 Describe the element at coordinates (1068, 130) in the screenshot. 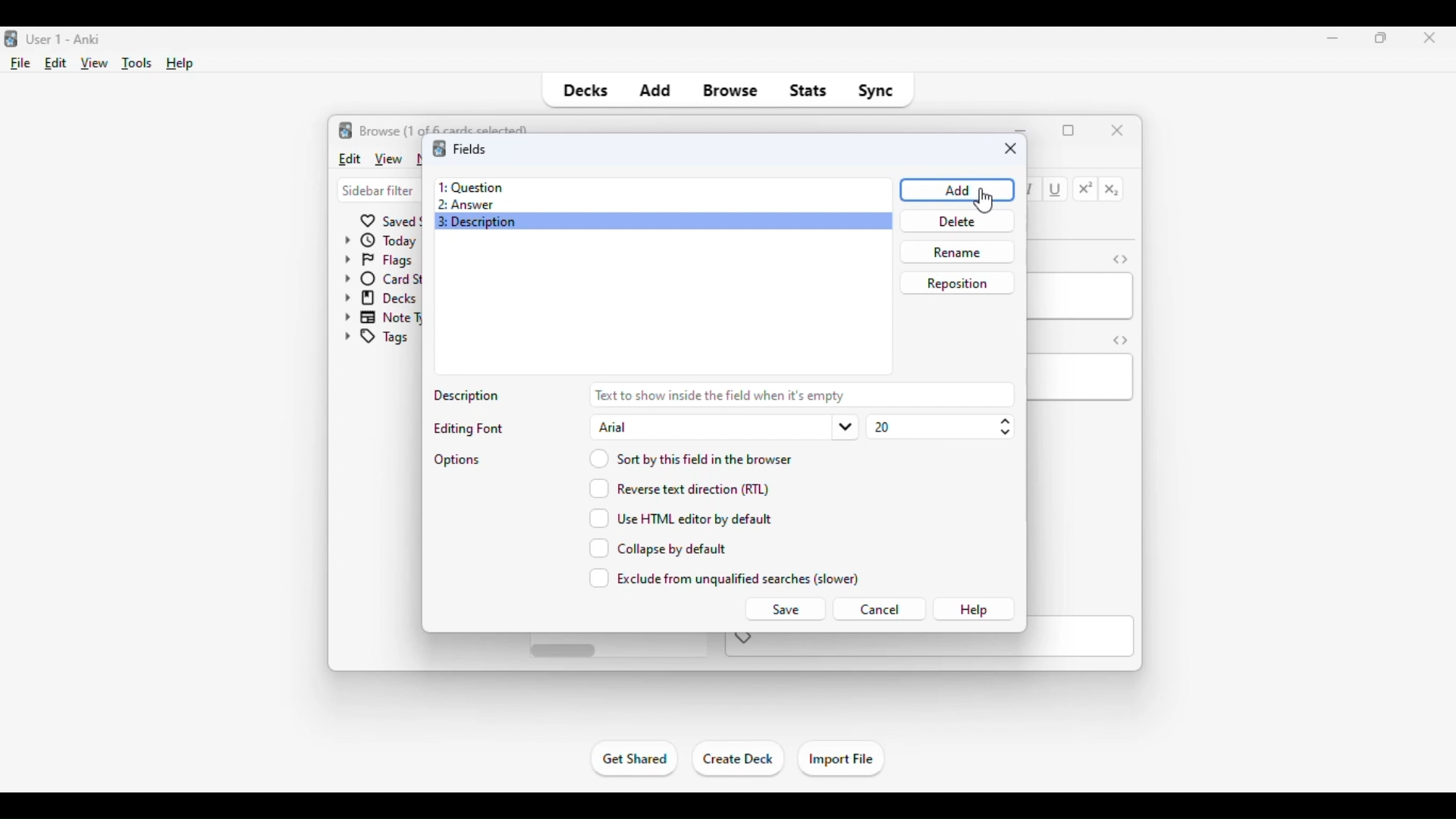

I see `maximize` at that location.